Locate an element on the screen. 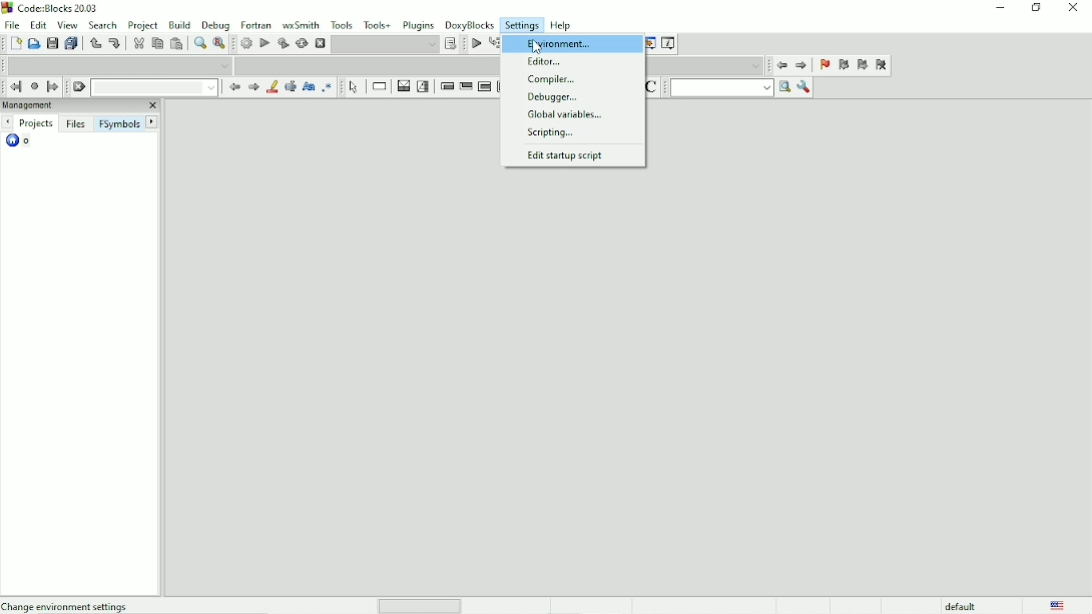 The width and height of the screenshot is (1092, 614). Clear is located at coordinates (79, 88).